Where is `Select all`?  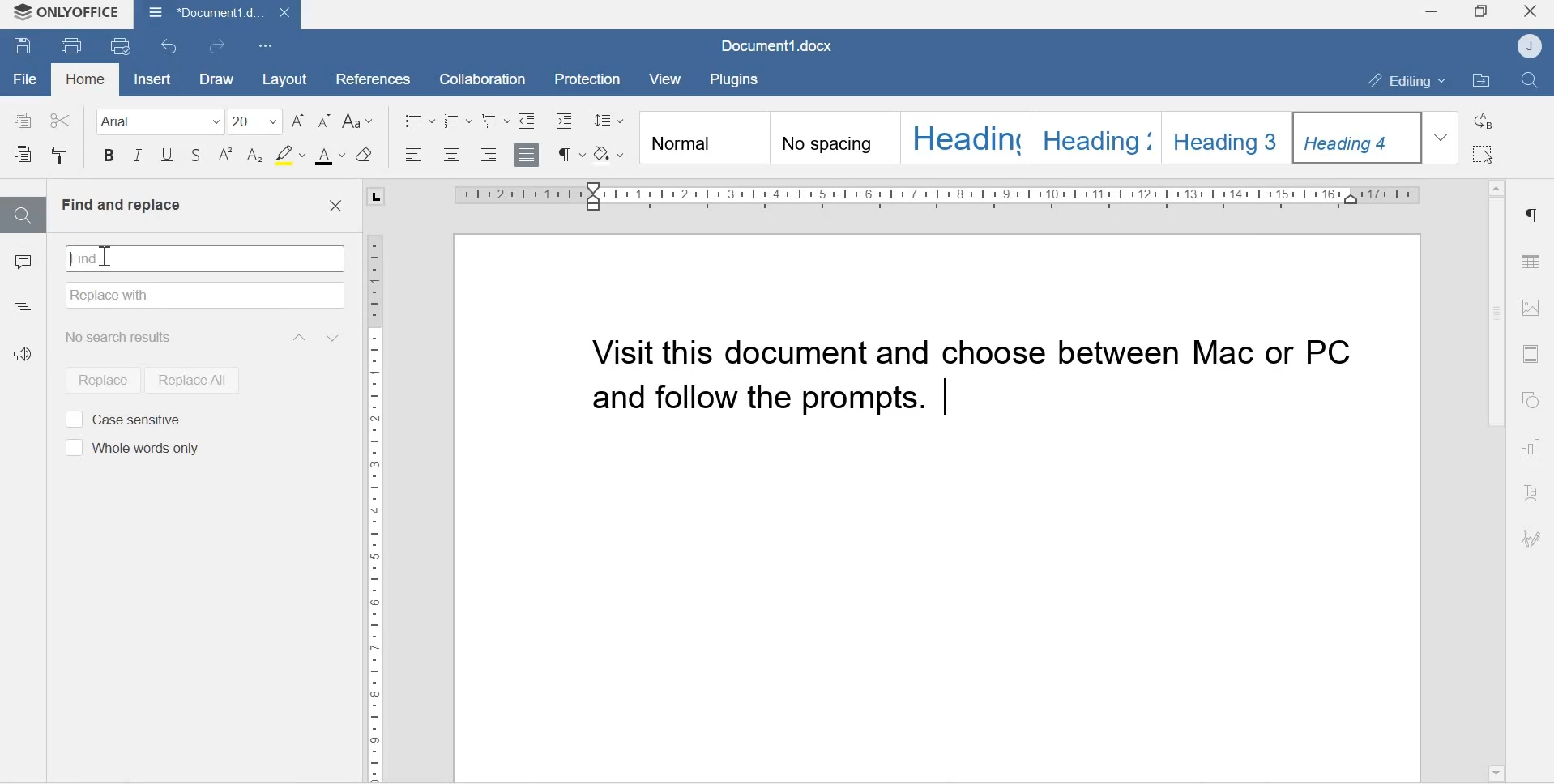
Select all is located at coordinates (1485, 155).